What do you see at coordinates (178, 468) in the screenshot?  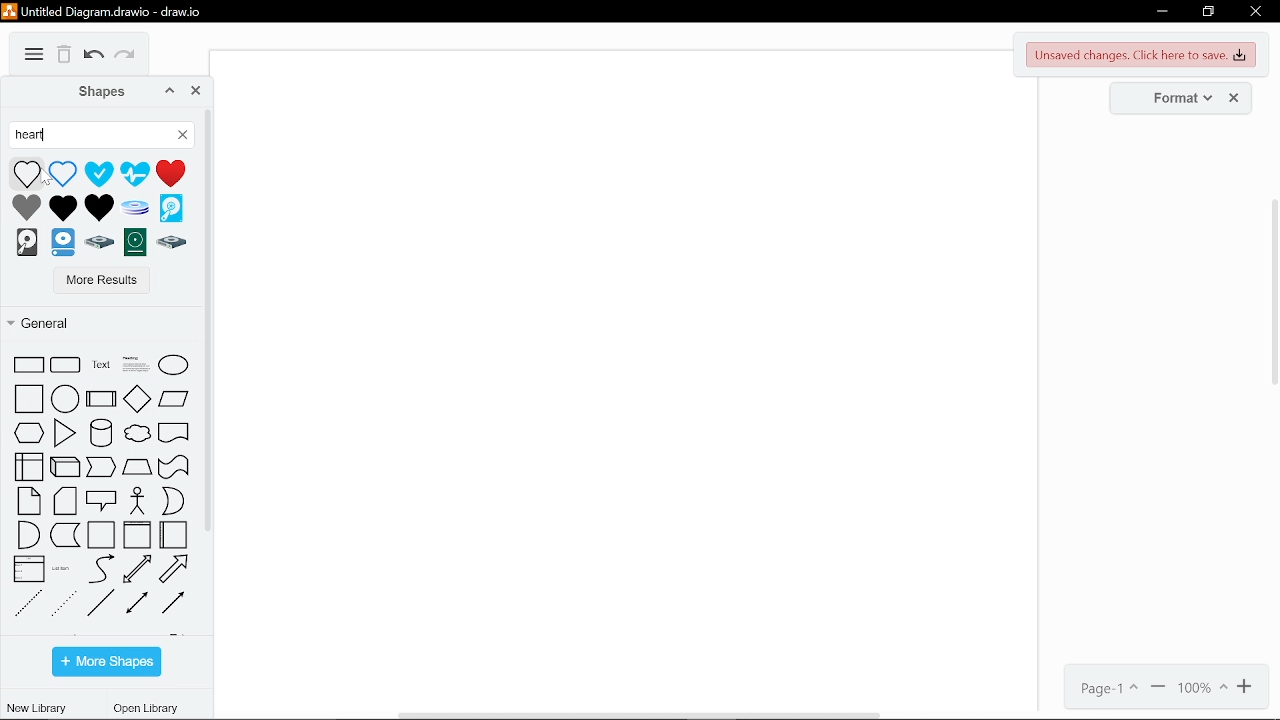 I see `parallelogram` at bounding box center [178, 468].